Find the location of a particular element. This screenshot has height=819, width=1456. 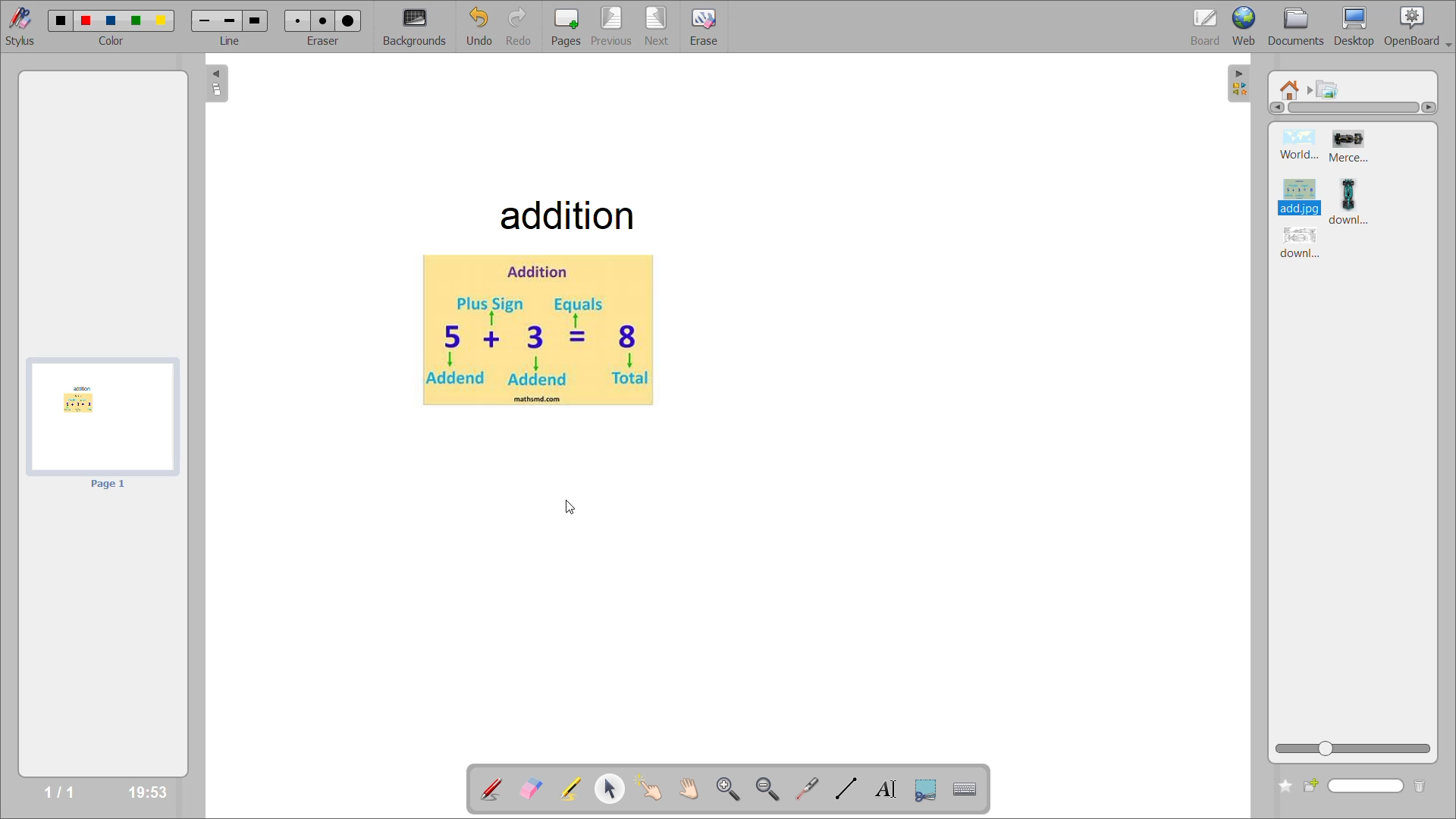

image 2 is located at coordinates (1354, 147).